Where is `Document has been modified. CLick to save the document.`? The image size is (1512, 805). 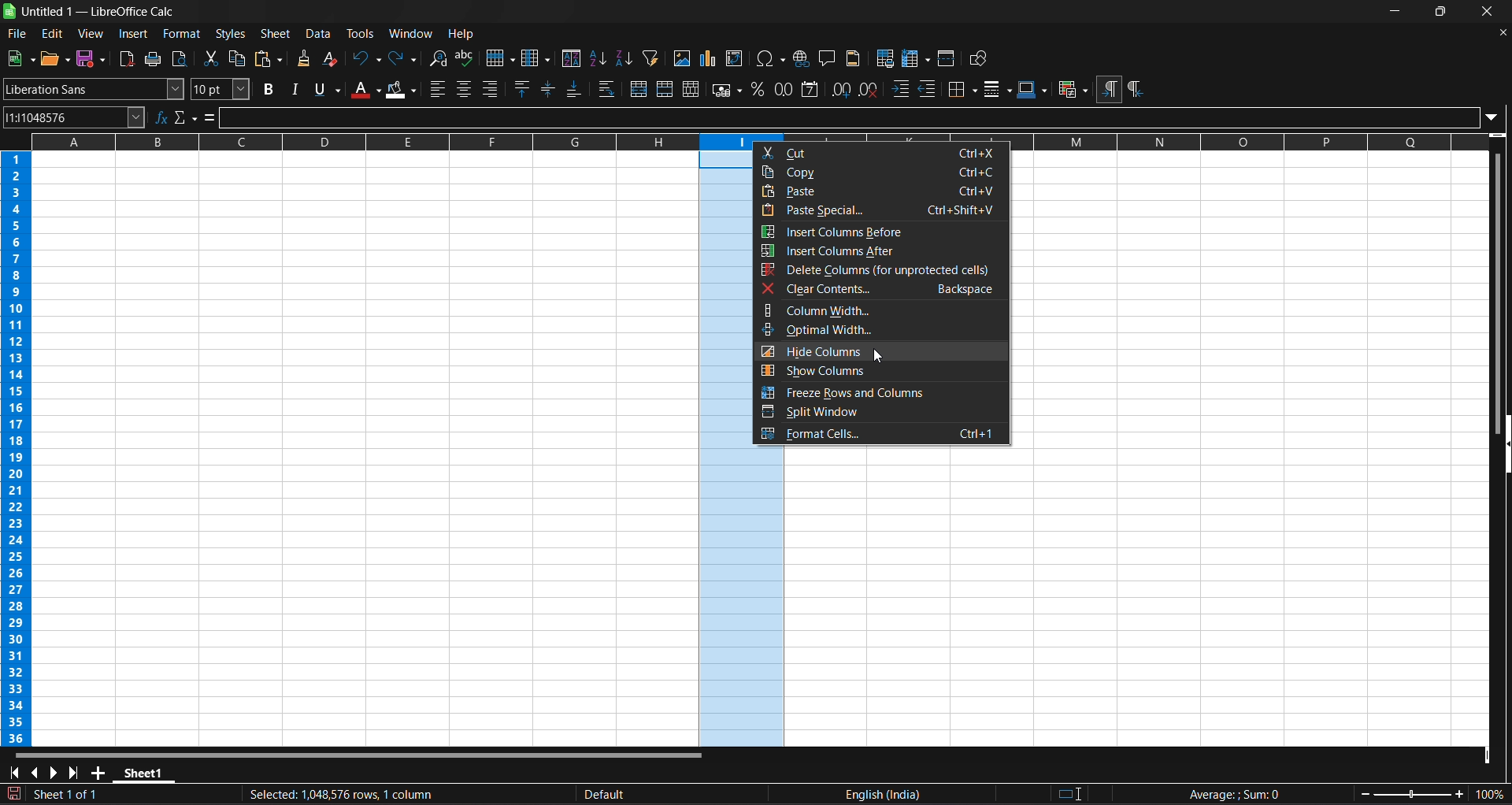 Document has been modified. CLick to save the document. is located at coordinates (276, 796).